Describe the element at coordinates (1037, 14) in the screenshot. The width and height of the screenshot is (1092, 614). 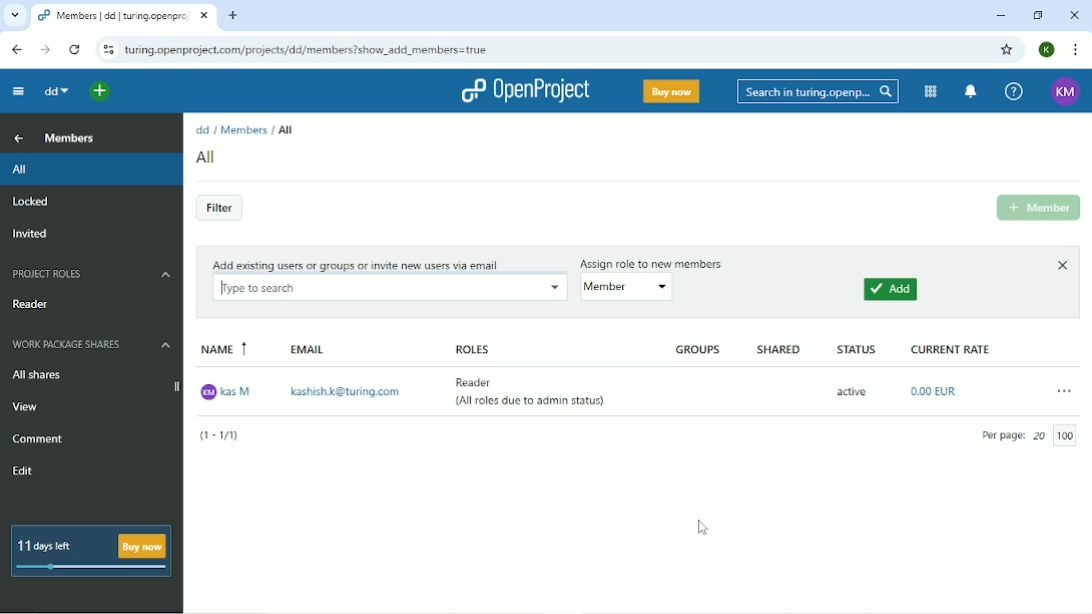
I see `Restore down` at that location.